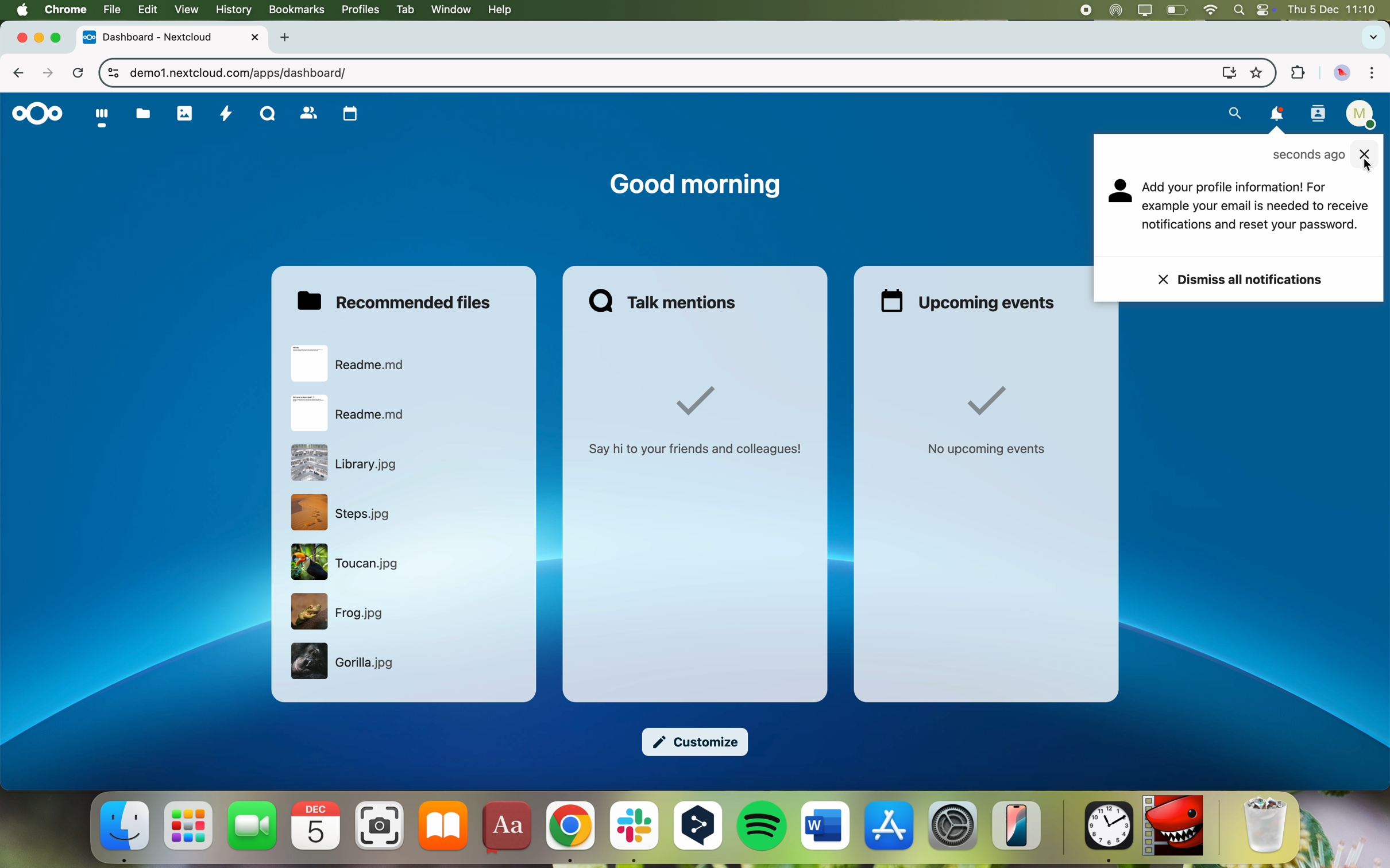 The width and height of the screenshot is (1390, 868). Describe the element at coordinates (188, 827) in the screenshot. I see `launchpad` at that location.